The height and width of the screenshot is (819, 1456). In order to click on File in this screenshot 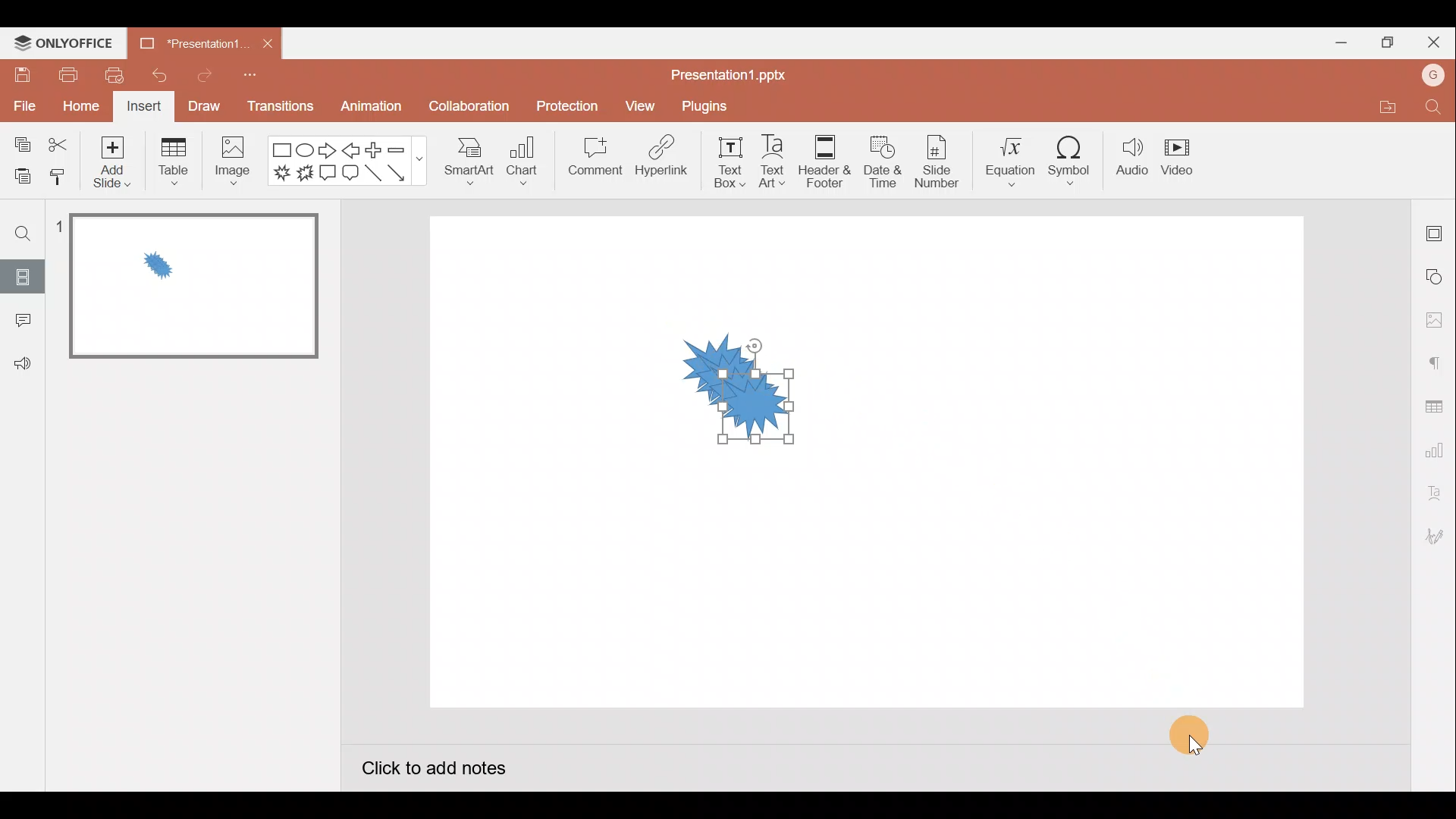, I will do `click(23, 108)`.